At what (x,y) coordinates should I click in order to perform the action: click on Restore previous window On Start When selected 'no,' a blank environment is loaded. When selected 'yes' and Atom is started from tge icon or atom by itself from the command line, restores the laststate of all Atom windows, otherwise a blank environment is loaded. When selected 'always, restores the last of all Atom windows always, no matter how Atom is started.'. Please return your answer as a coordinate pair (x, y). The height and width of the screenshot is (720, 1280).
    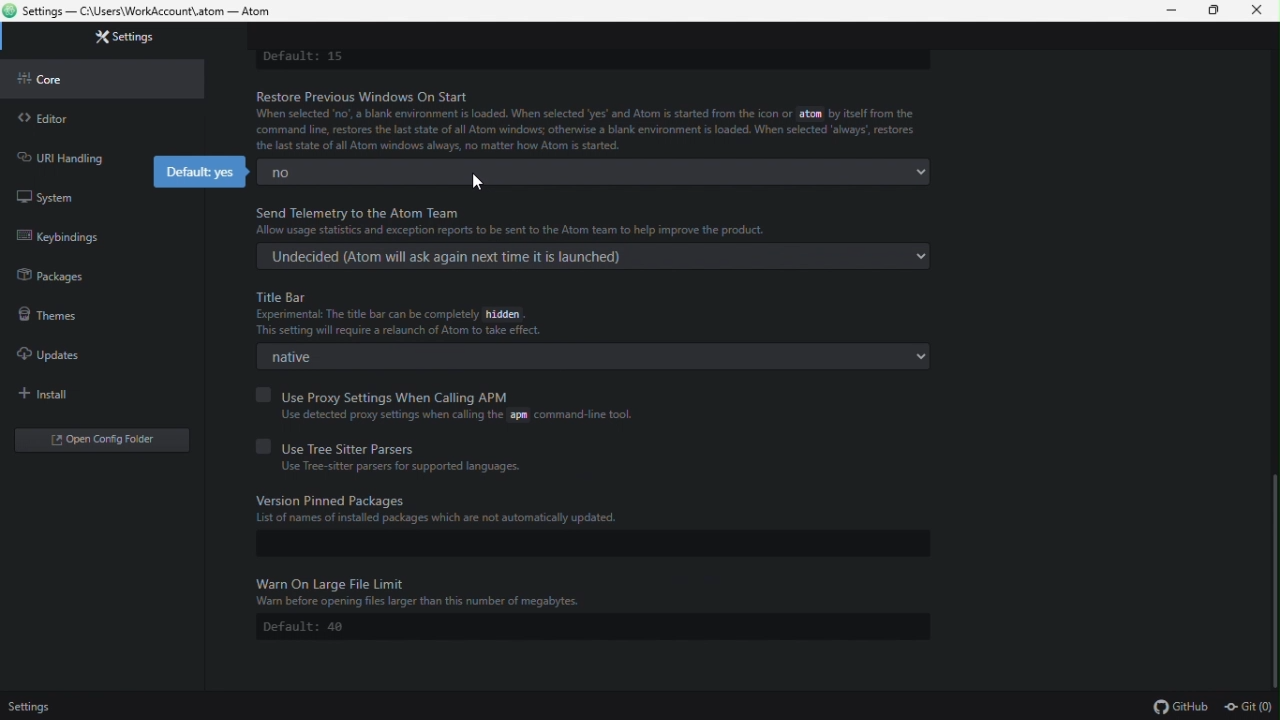
    Looking at the image, I should click on (601, 119).